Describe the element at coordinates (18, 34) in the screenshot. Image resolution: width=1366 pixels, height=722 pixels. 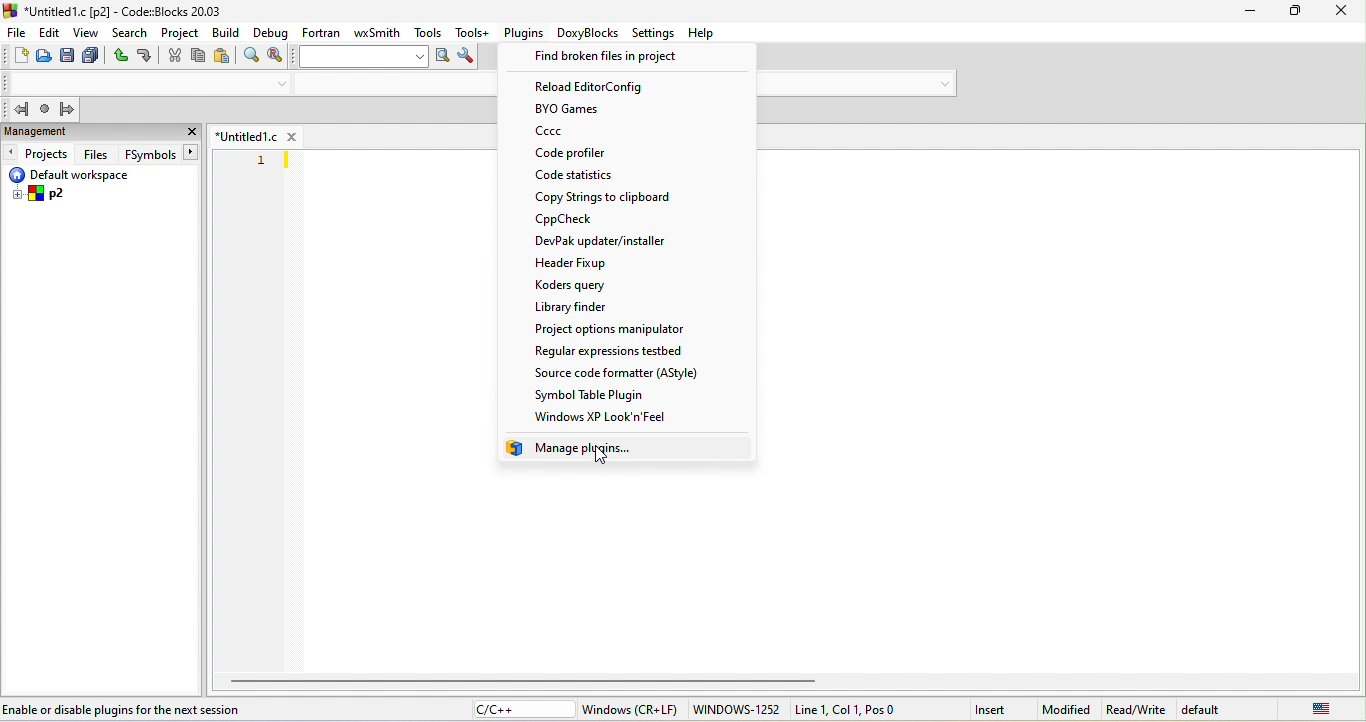
I see `file` at that location.